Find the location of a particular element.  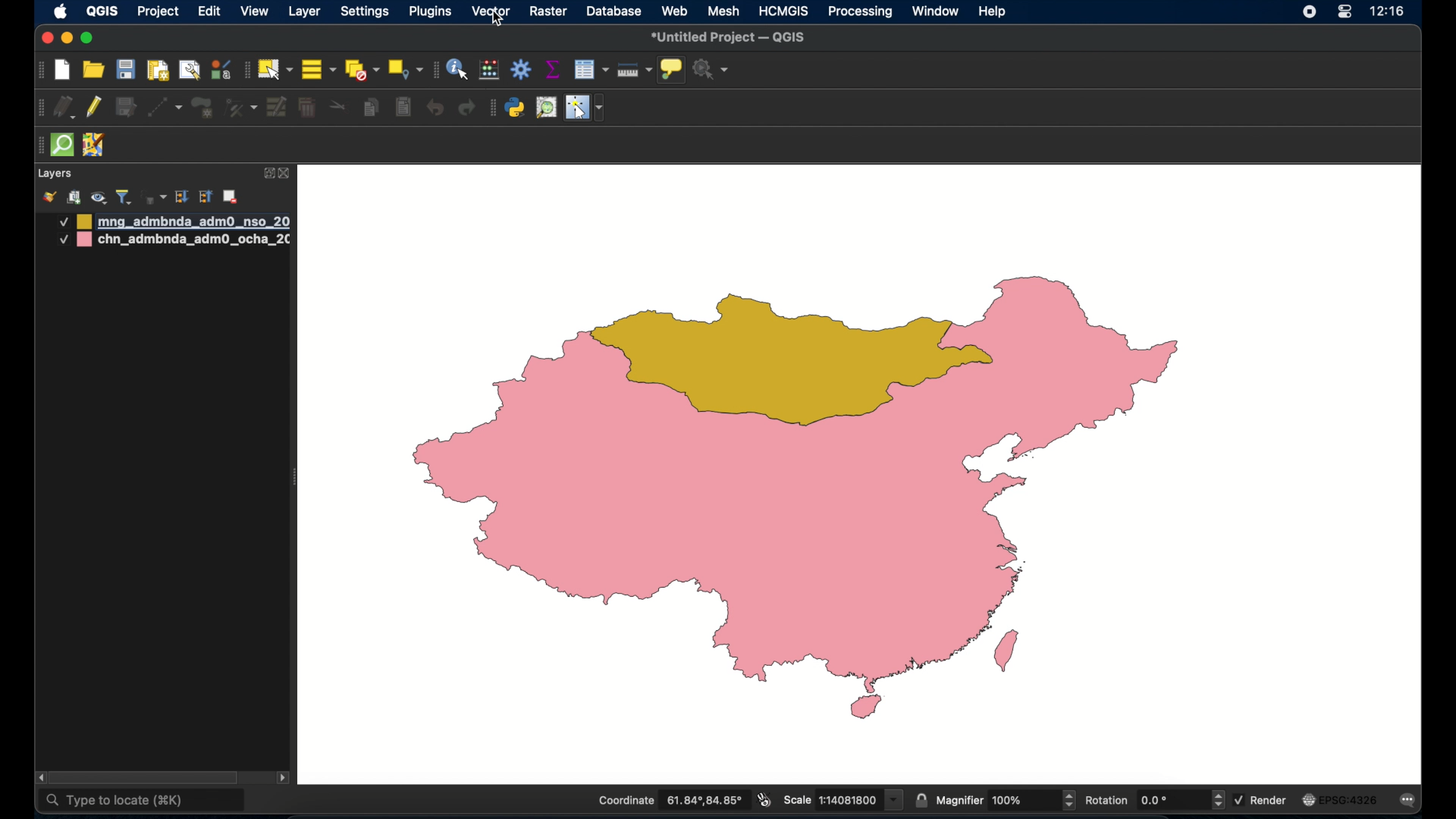

switches mouse to configurable pointer is located at coordinates (586, 108).